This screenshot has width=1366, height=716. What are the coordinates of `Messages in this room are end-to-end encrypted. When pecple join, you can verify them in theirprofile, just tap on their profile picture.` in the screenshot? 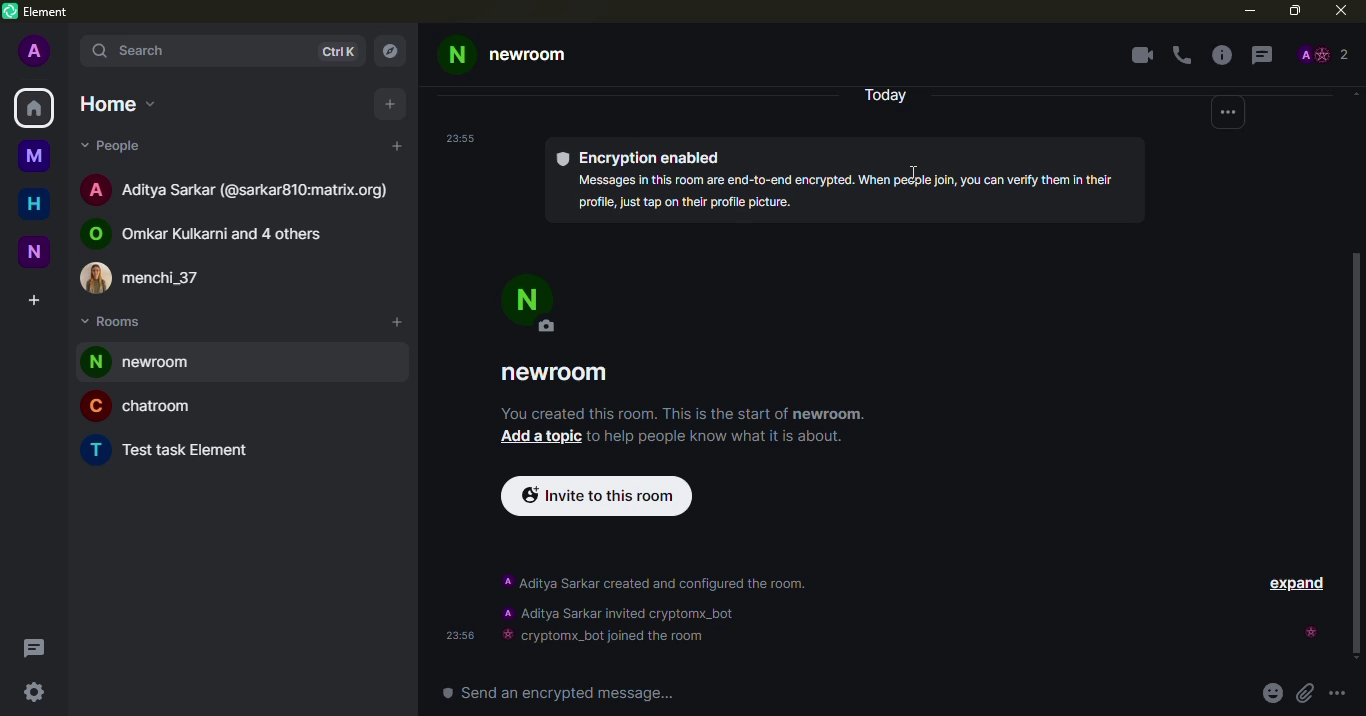 It's located at (847, 193).